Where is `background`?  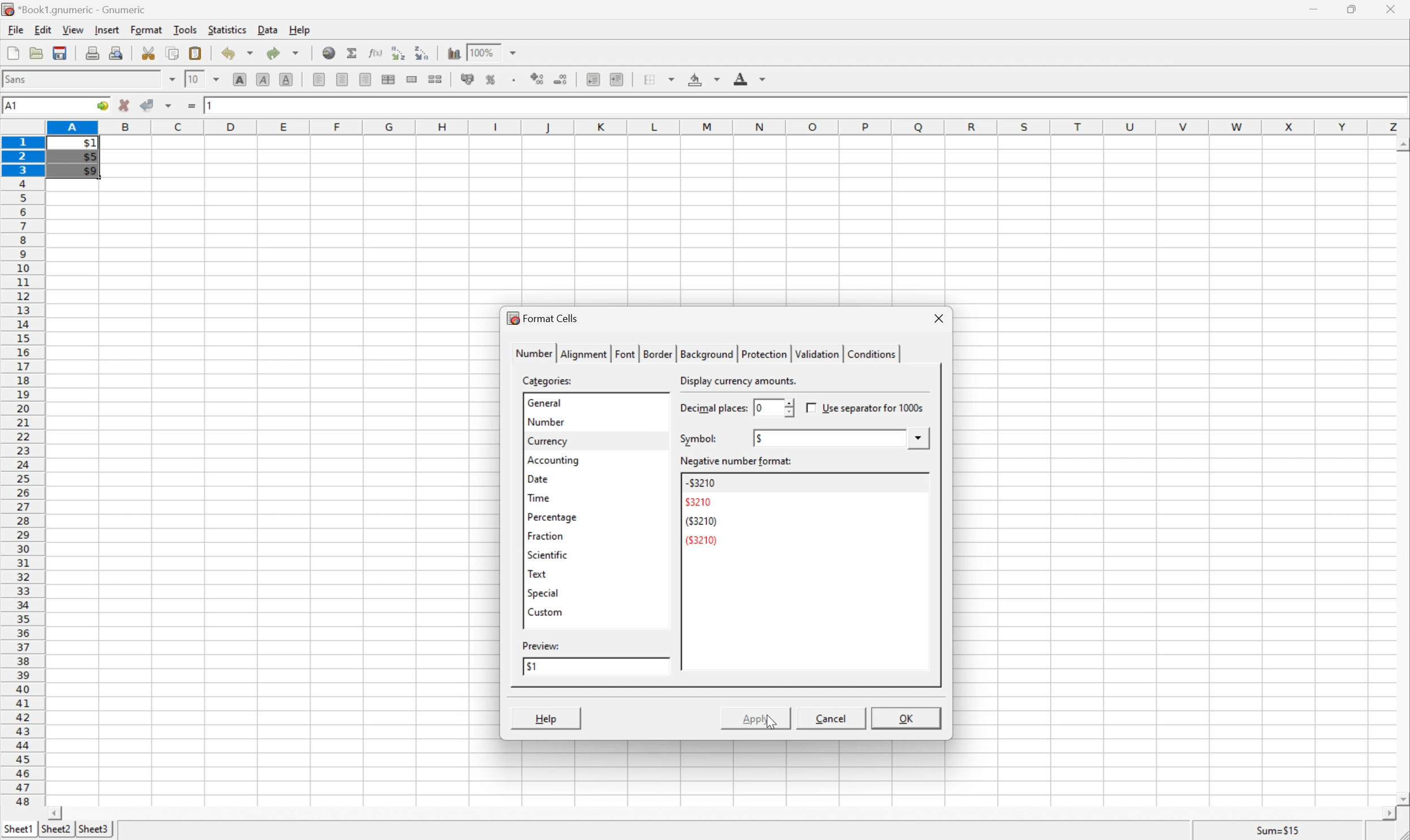
background is located at coordinates (705, 354).